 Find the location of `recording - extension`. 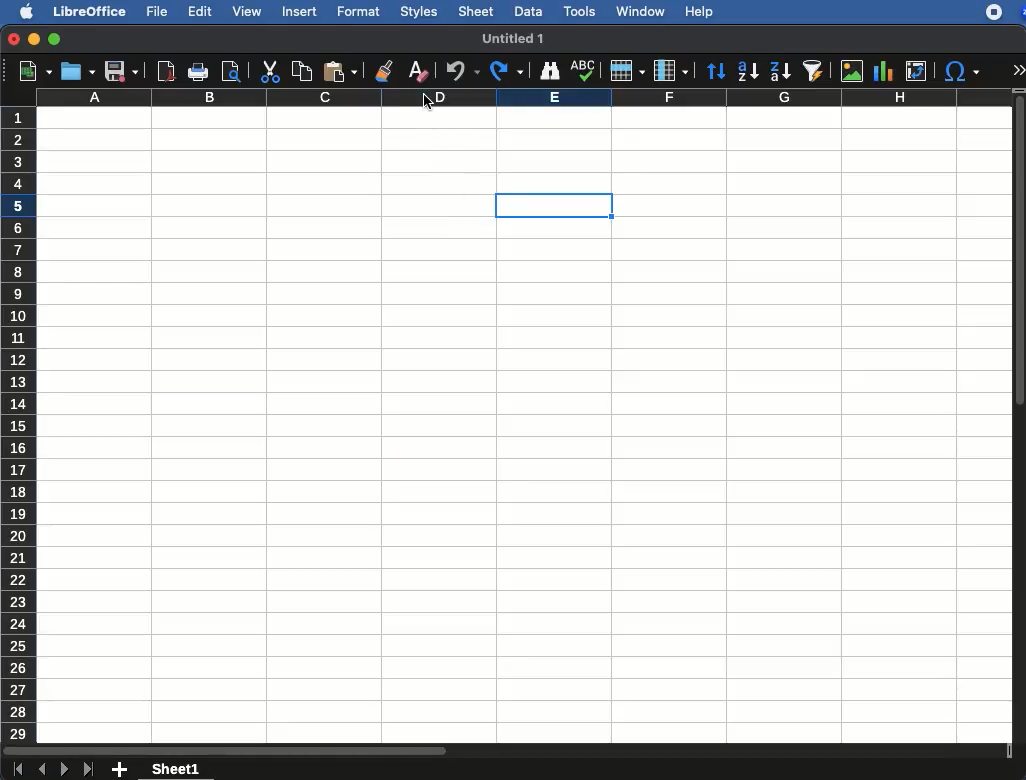

recording - extension is located at coordinates (994, 12).